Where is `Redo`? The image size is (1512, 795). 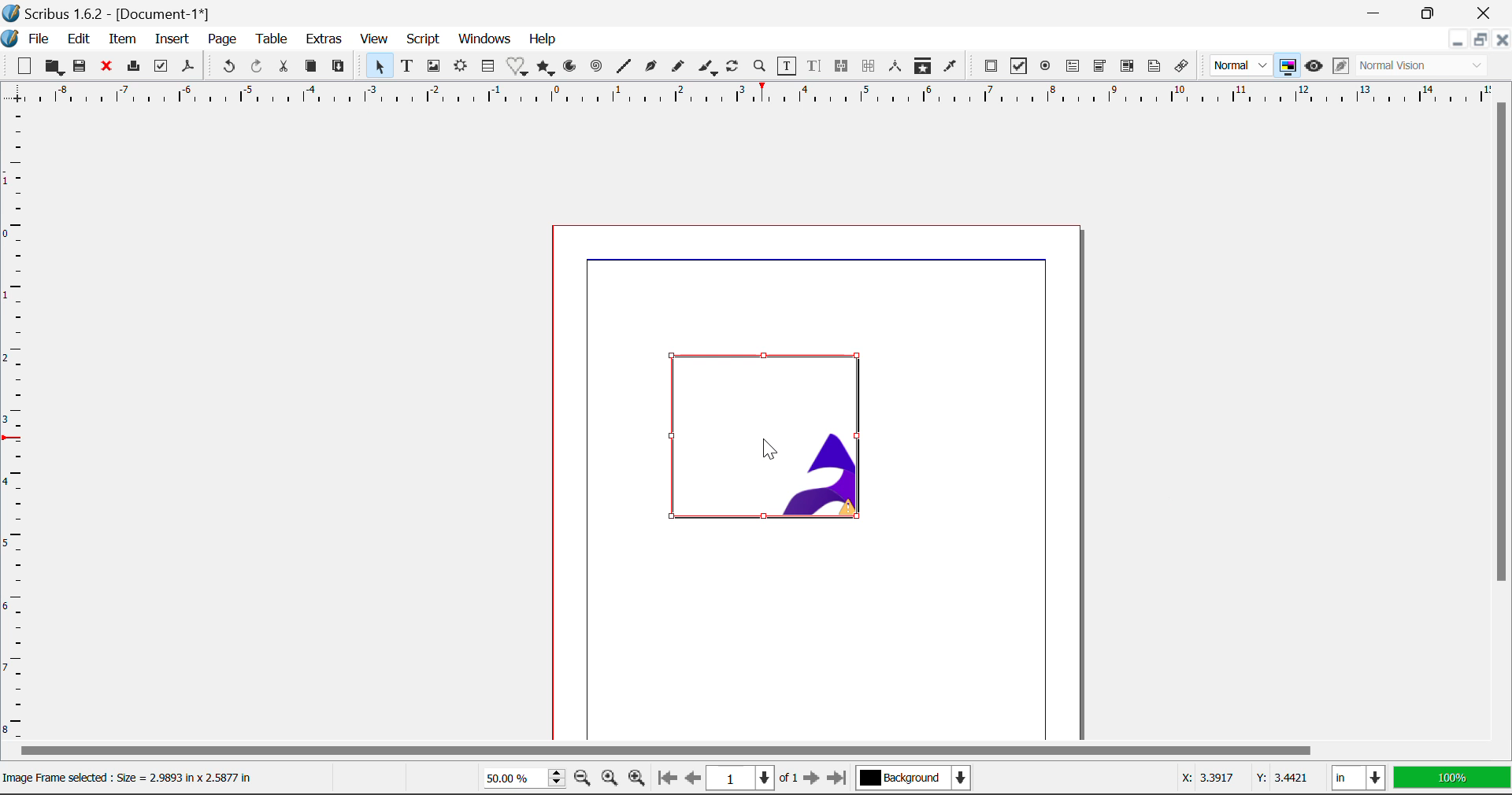 Redo is located at coordinates (260, 67).